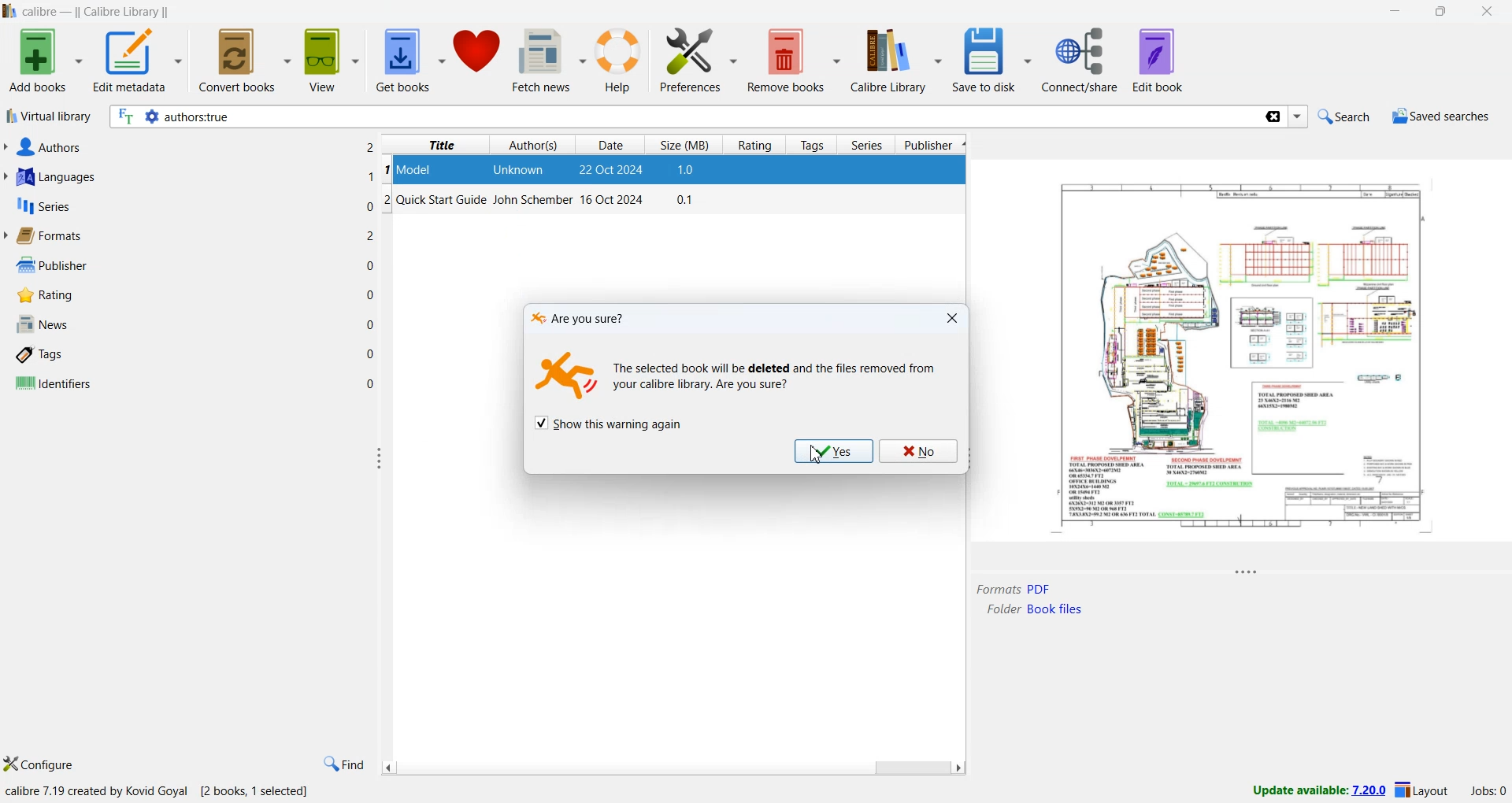 This screenshot has width=1512, height=803. Describe the element at coordinates (49, 265) in the screenshot. I see `publisher` at that location.